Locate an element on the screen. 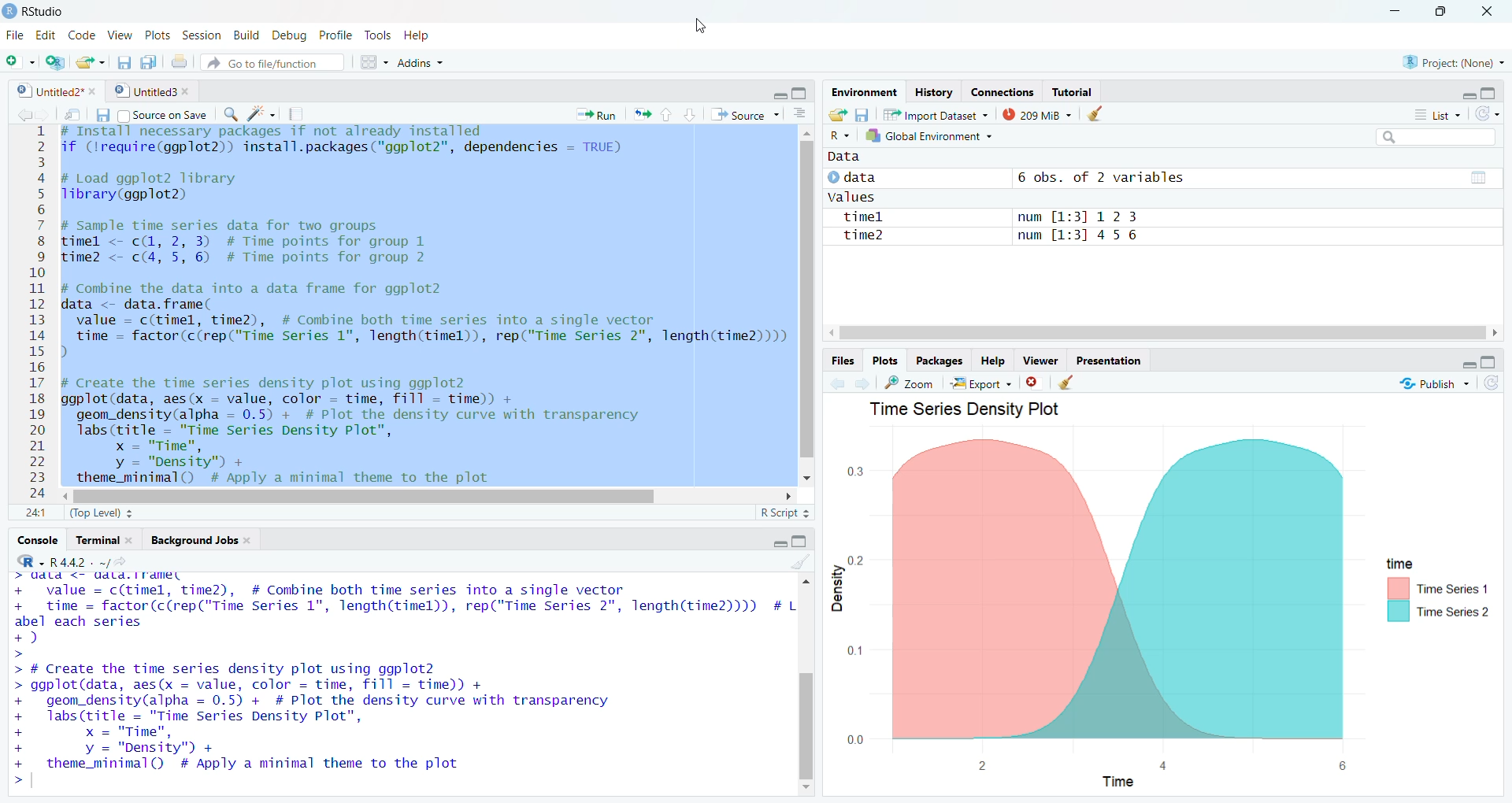 This screenshot has height=803, width=1512. Go is located at coordinates (128, 564).